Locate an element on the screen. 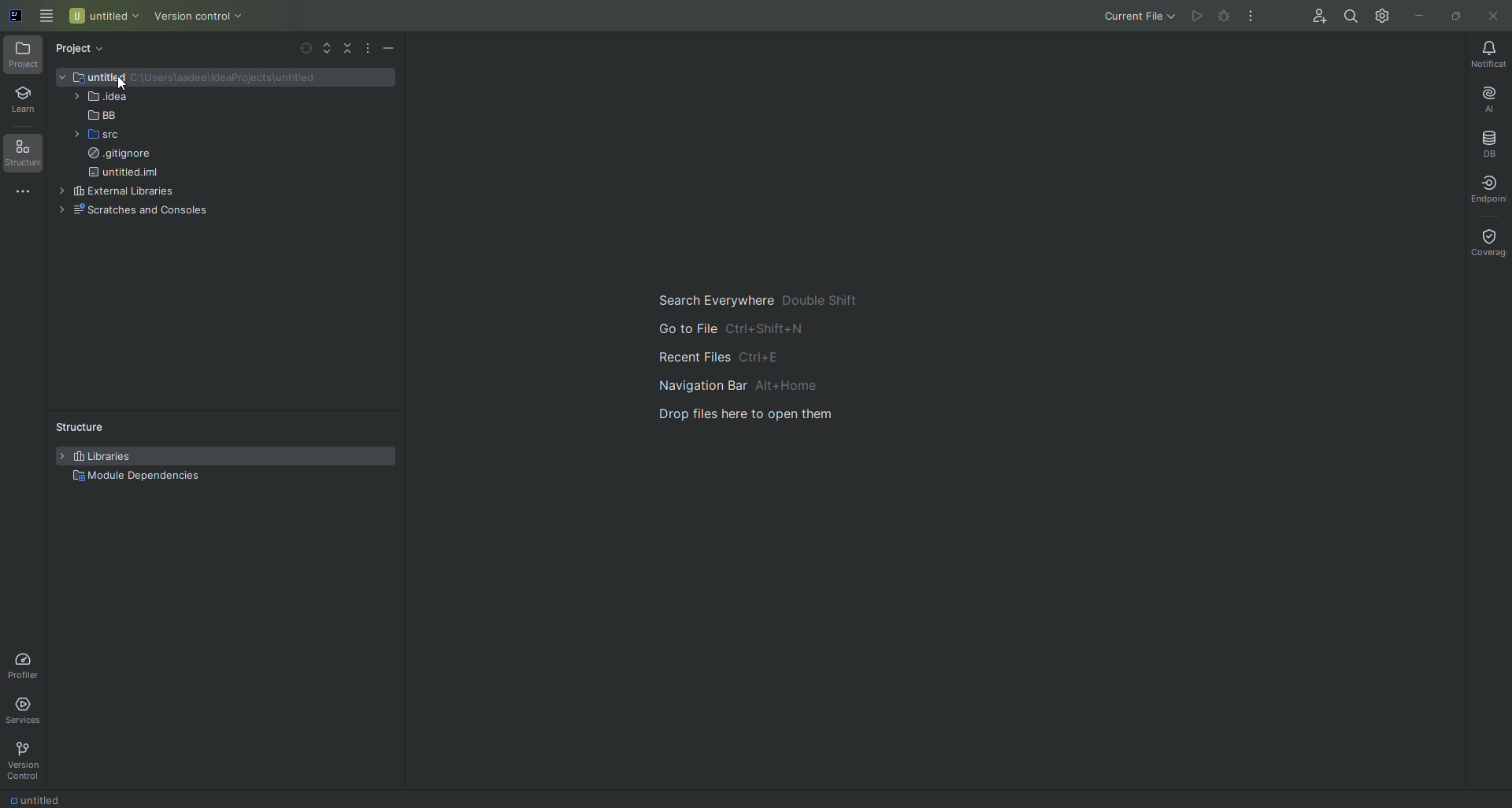  Notifications is located at coordinates (1484, 54).